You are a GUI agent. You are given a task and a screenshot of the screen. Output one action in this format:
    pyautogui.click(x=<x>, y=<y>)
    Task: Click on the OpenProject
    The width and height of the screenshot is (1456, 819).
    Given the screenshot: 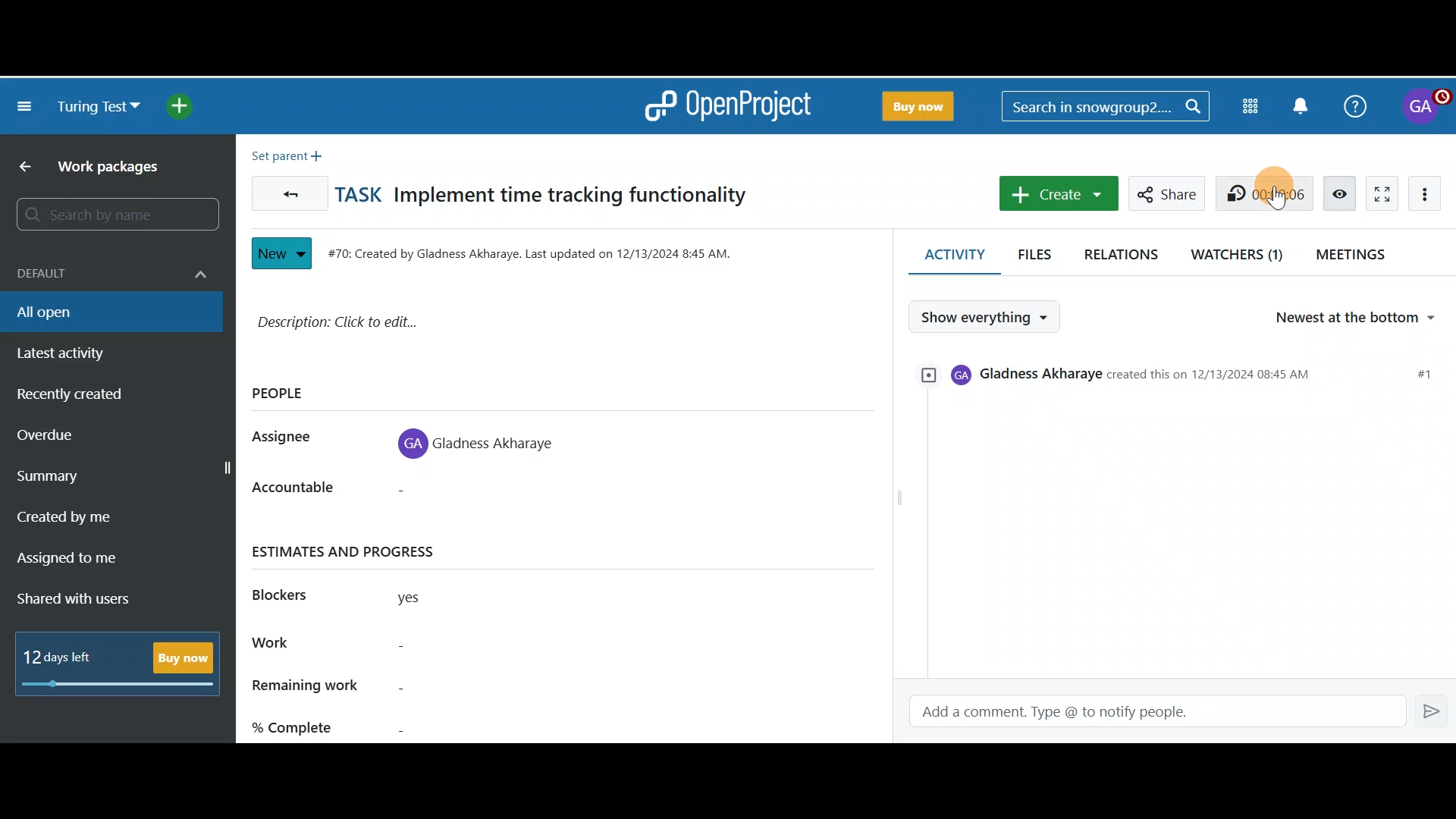 What is the action you would take?
    pyautogui.click(x=727, y=106)
    